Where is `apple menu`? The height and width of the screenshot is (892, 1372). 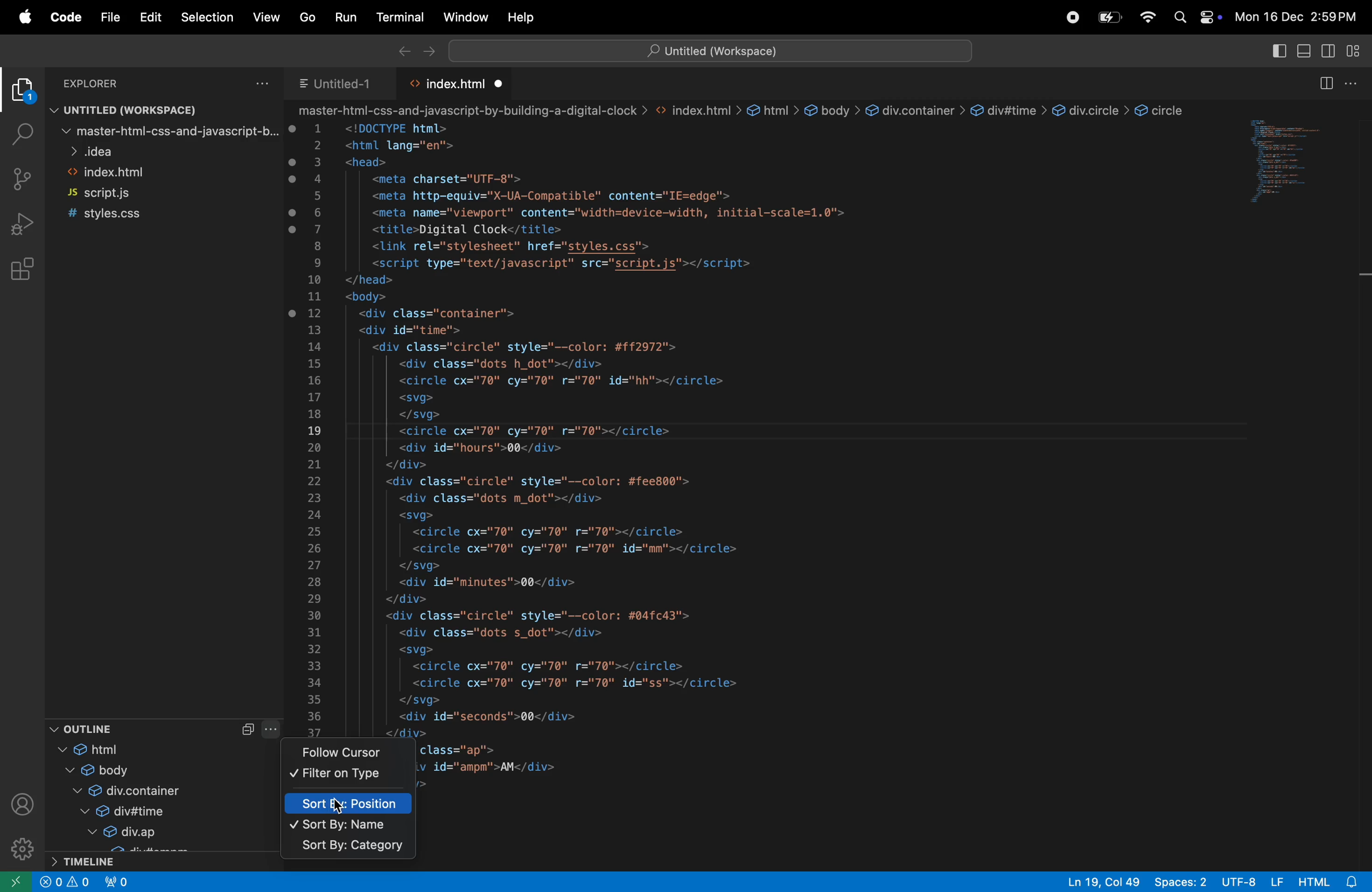 apple menu is located at coordinates (21, 17).